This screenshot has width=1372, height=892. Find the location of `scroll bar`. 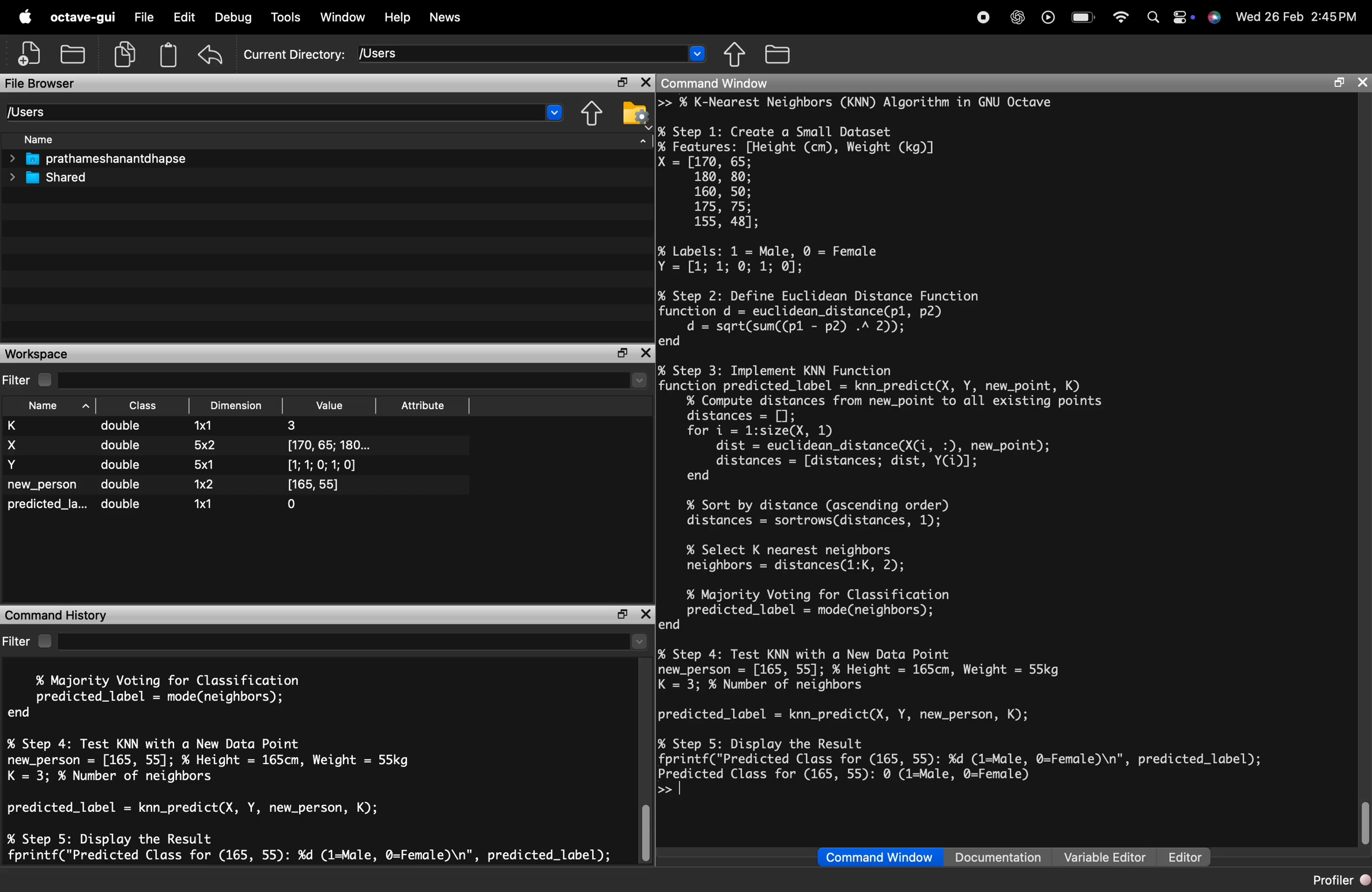

scroll bar is located at coordinates (1362, 821).